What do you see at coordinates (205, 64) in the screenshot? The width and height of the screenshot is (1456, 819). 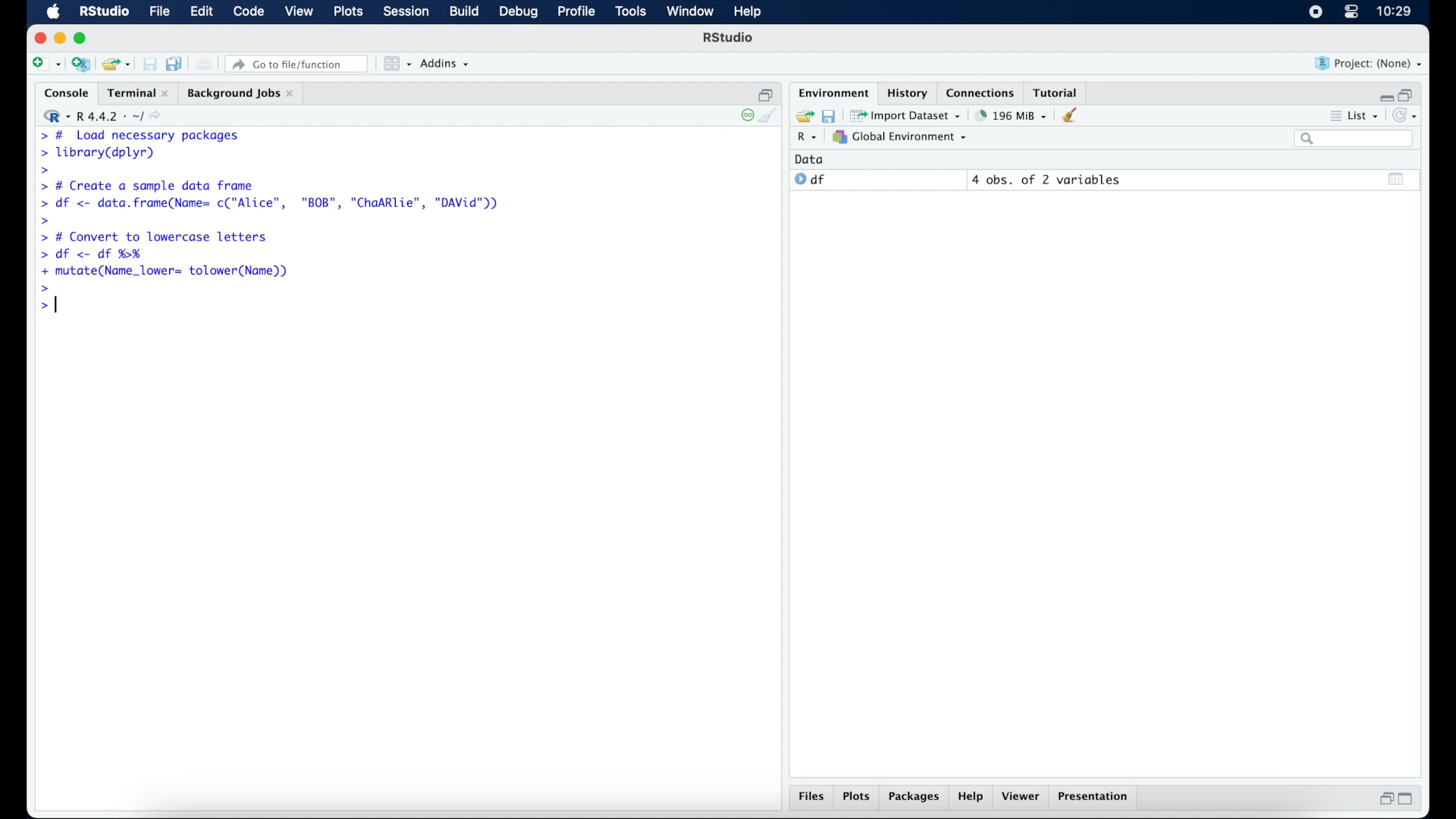 I see `print` at bounding box center [205, 64].